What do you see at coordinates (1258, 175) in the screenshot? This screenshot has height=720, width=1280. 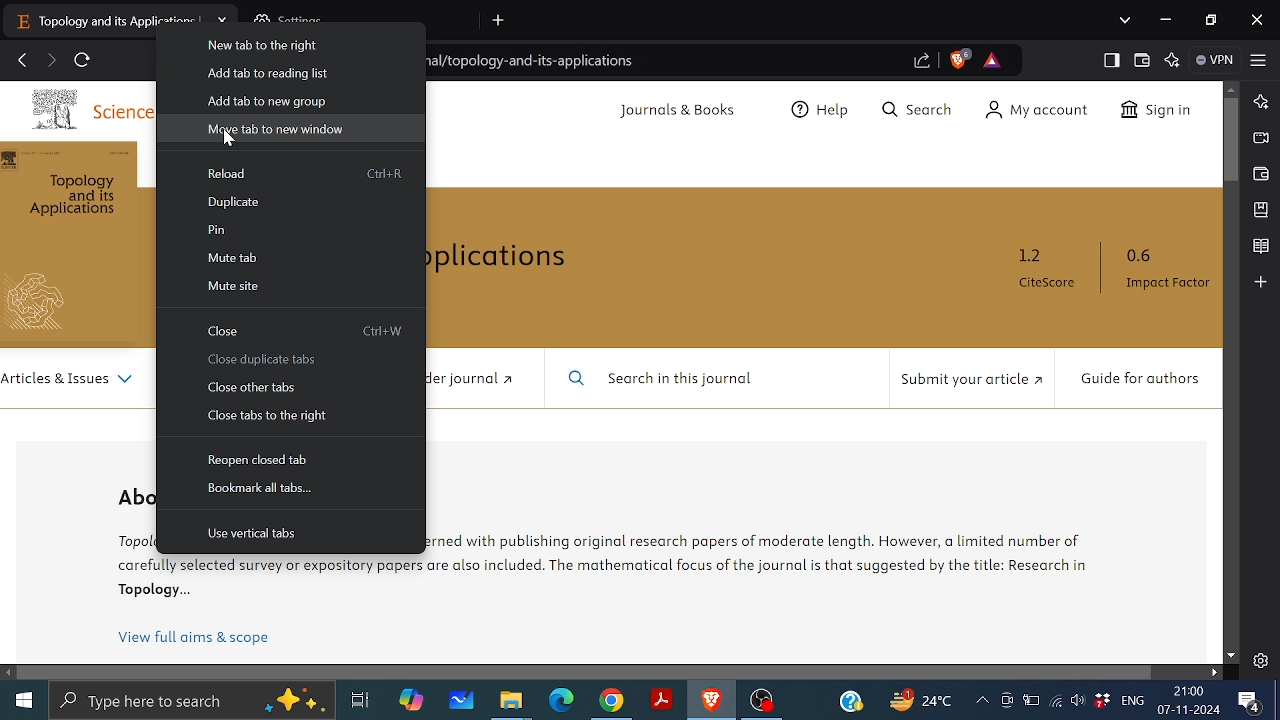 I see `wallet` at bounding box center [1258, 175].